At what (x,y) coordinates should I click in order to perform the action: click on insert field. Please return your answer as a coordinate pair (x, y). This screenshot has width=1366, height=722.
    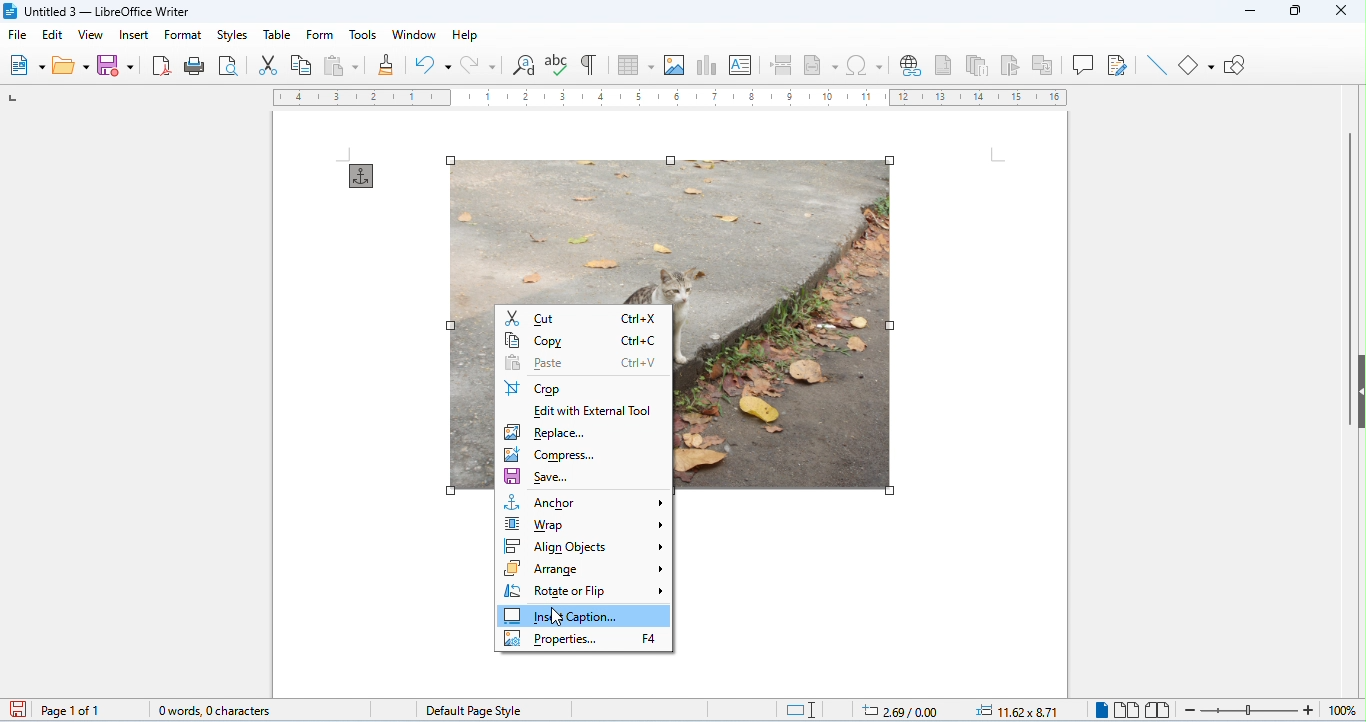
    Looking at the image, I should click on (821, 65).